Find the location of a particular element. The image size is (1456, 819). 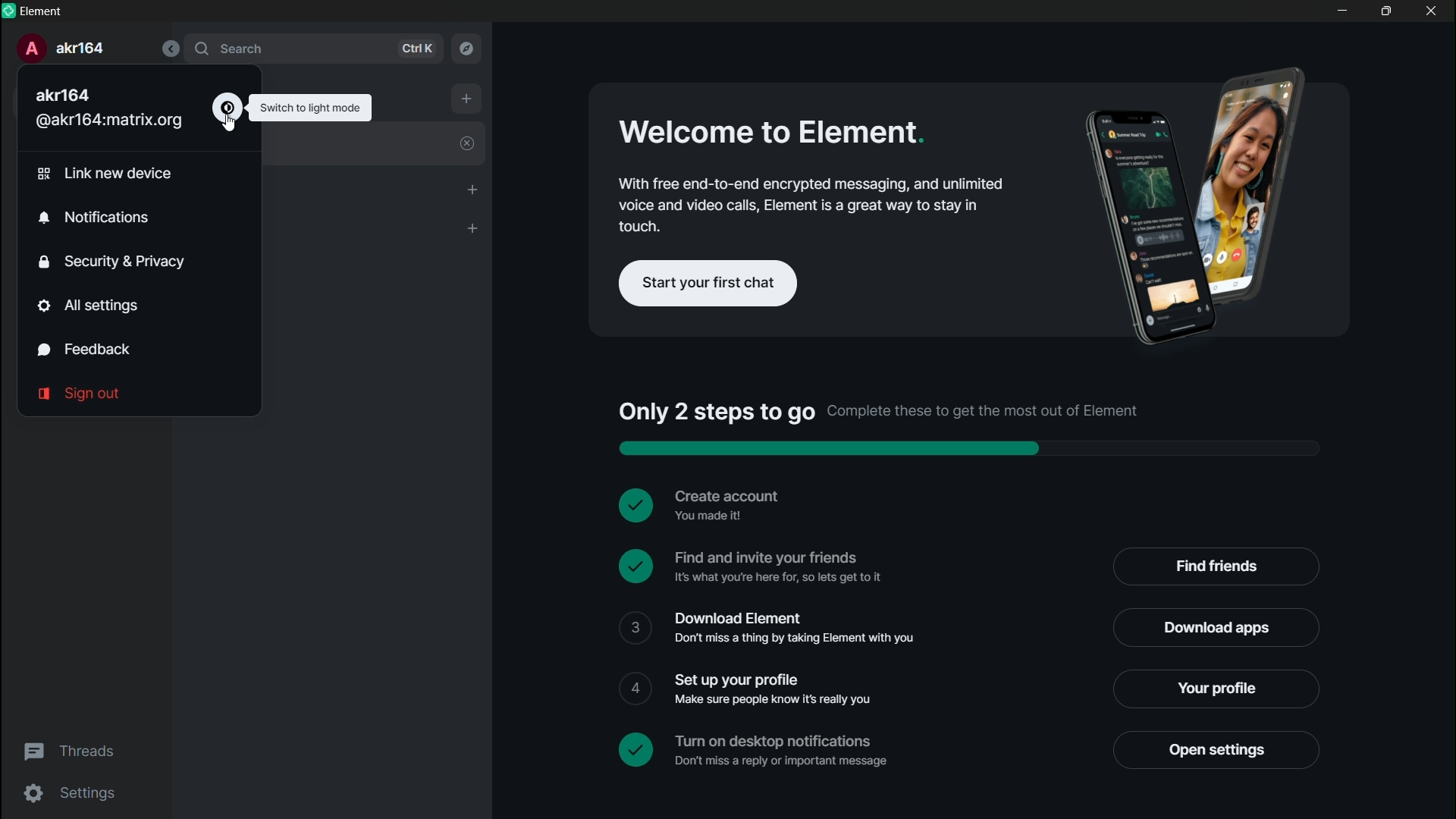

Welcome to element. is located at coordinates (769, 133).